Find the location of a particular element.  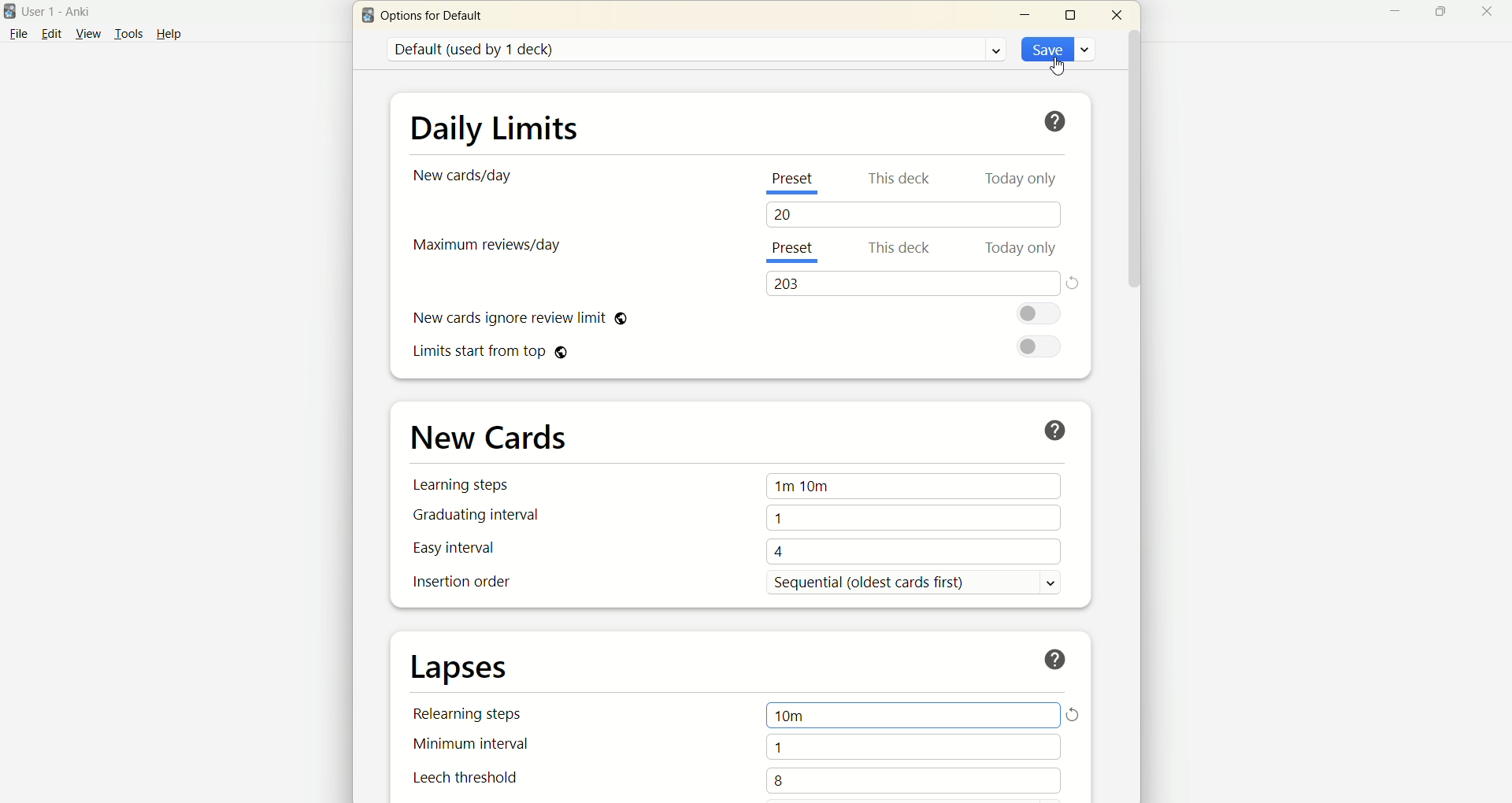

reload is located at coordinates (1076, 716).